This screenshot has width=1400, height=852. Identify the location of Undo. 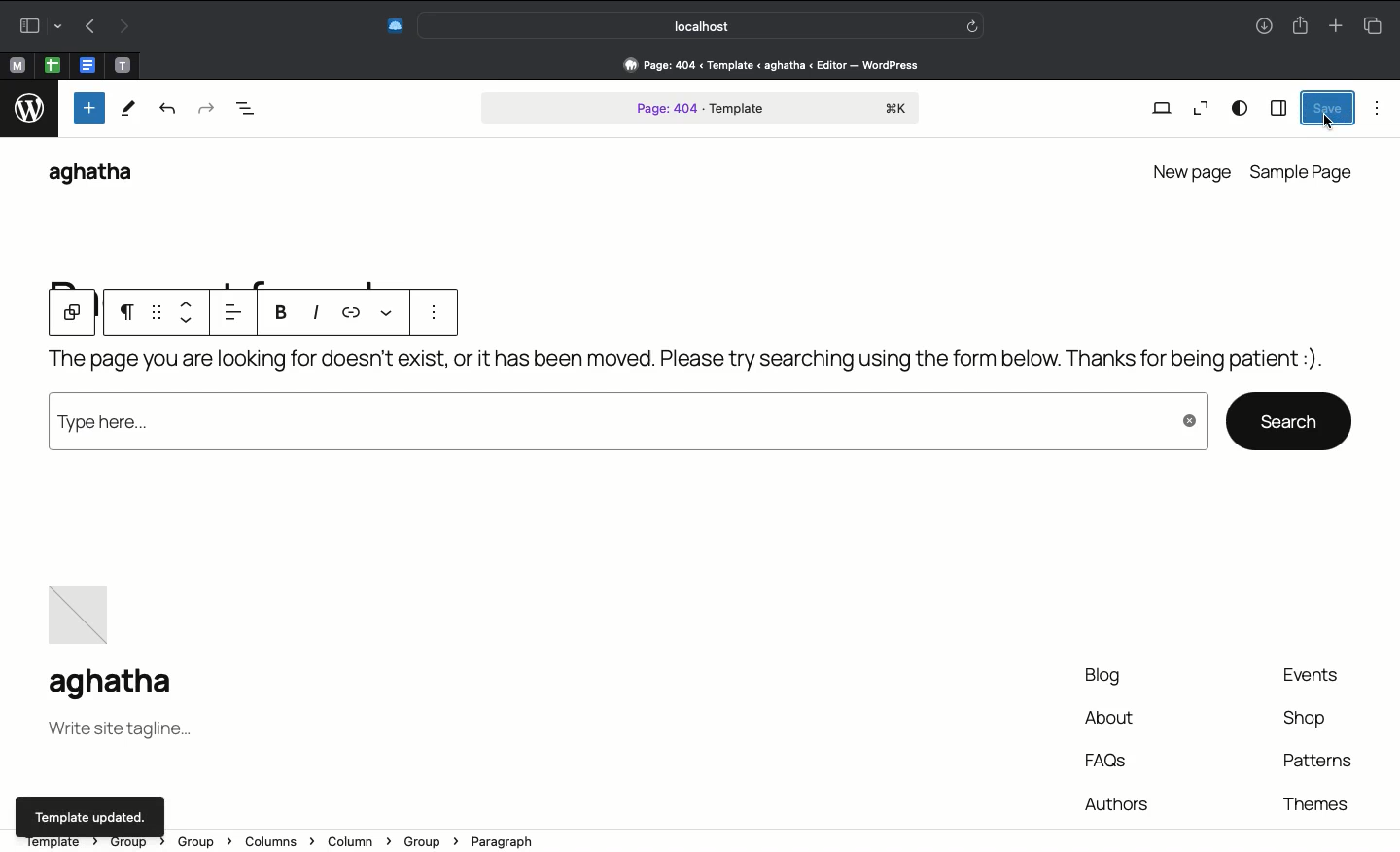
(90, 25).